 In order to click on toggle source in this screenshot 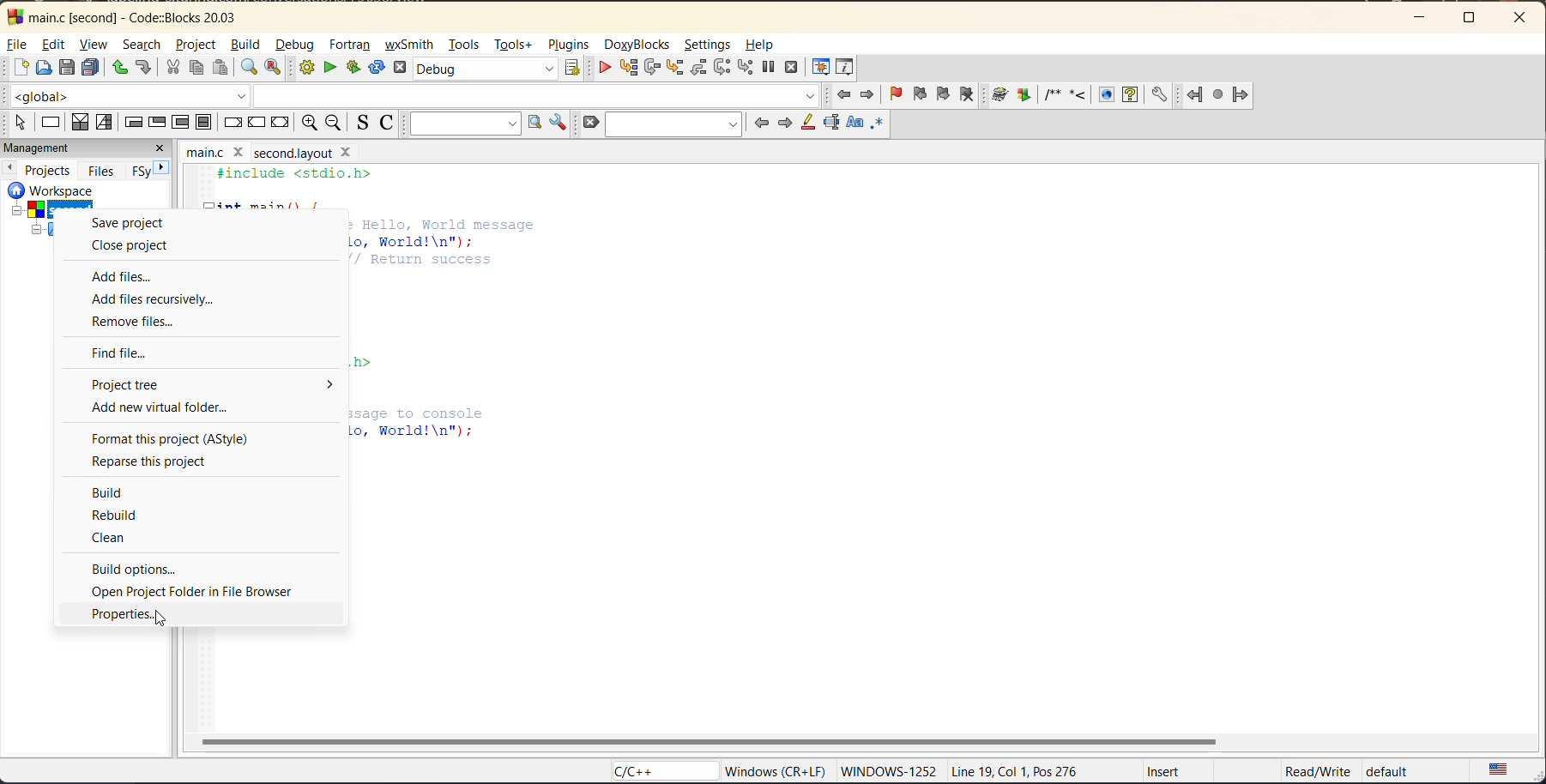, I will do `click(365, 122)`.